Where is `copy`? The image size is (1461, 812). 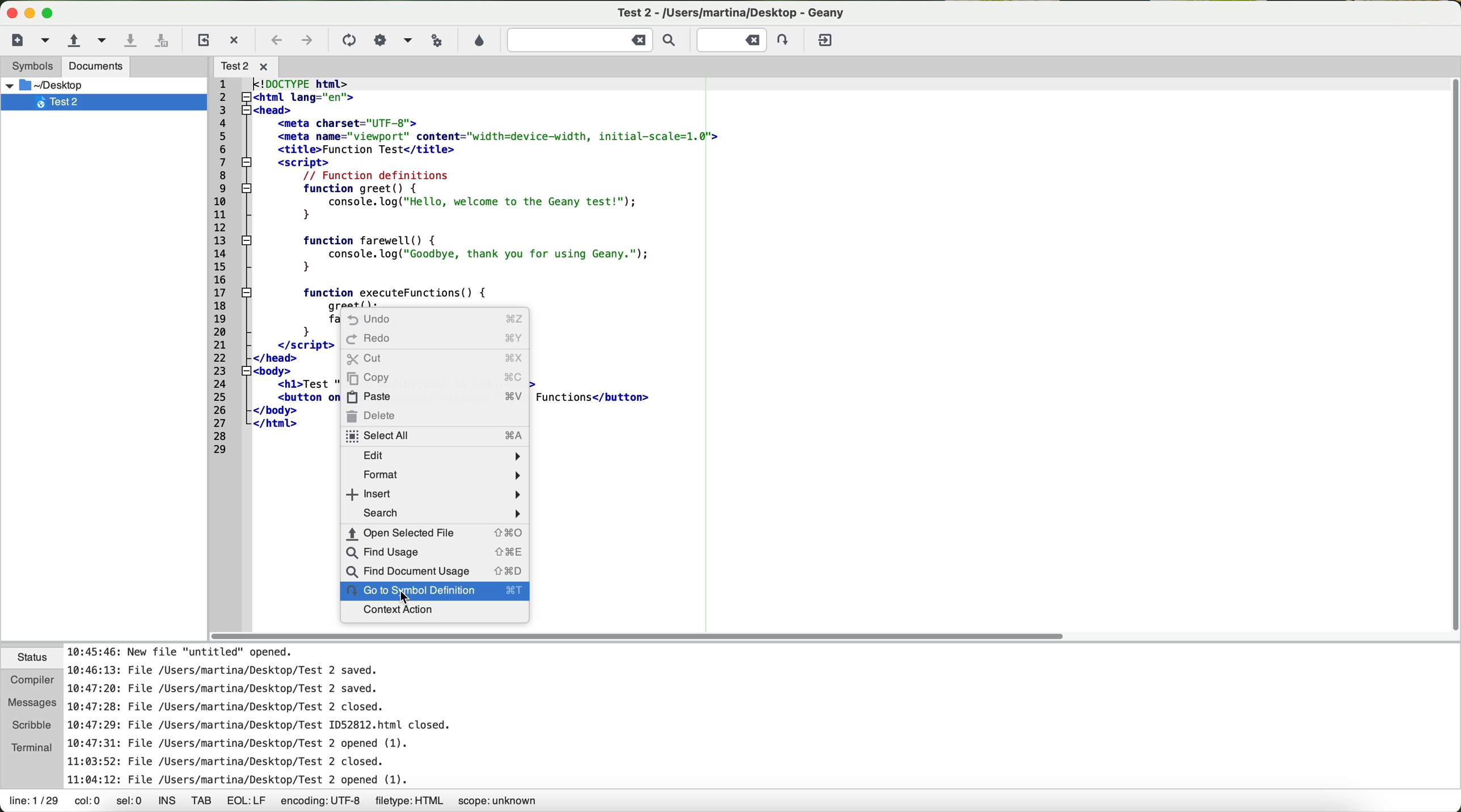
copy is located at coordinates (434, 378).